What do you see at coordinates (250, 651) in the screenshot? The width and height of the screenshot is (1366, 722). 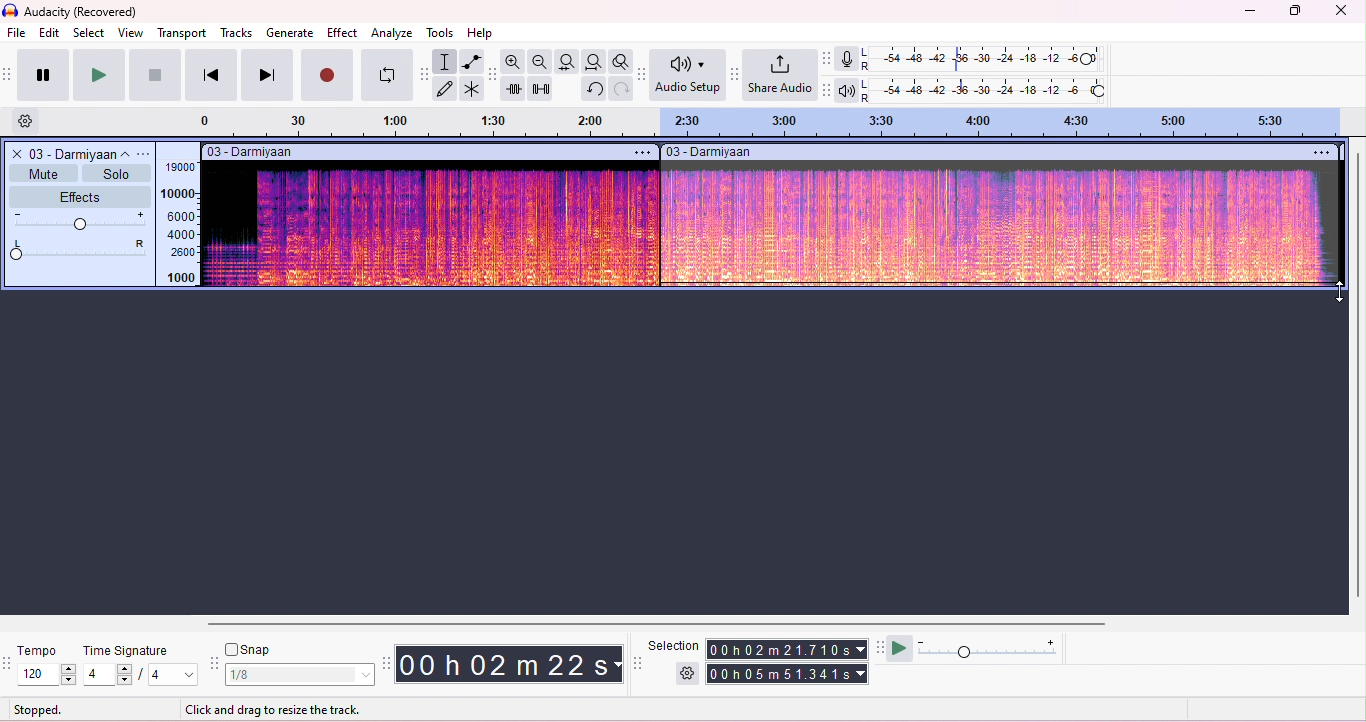 I see `snap` at bounding box center [250, 651].